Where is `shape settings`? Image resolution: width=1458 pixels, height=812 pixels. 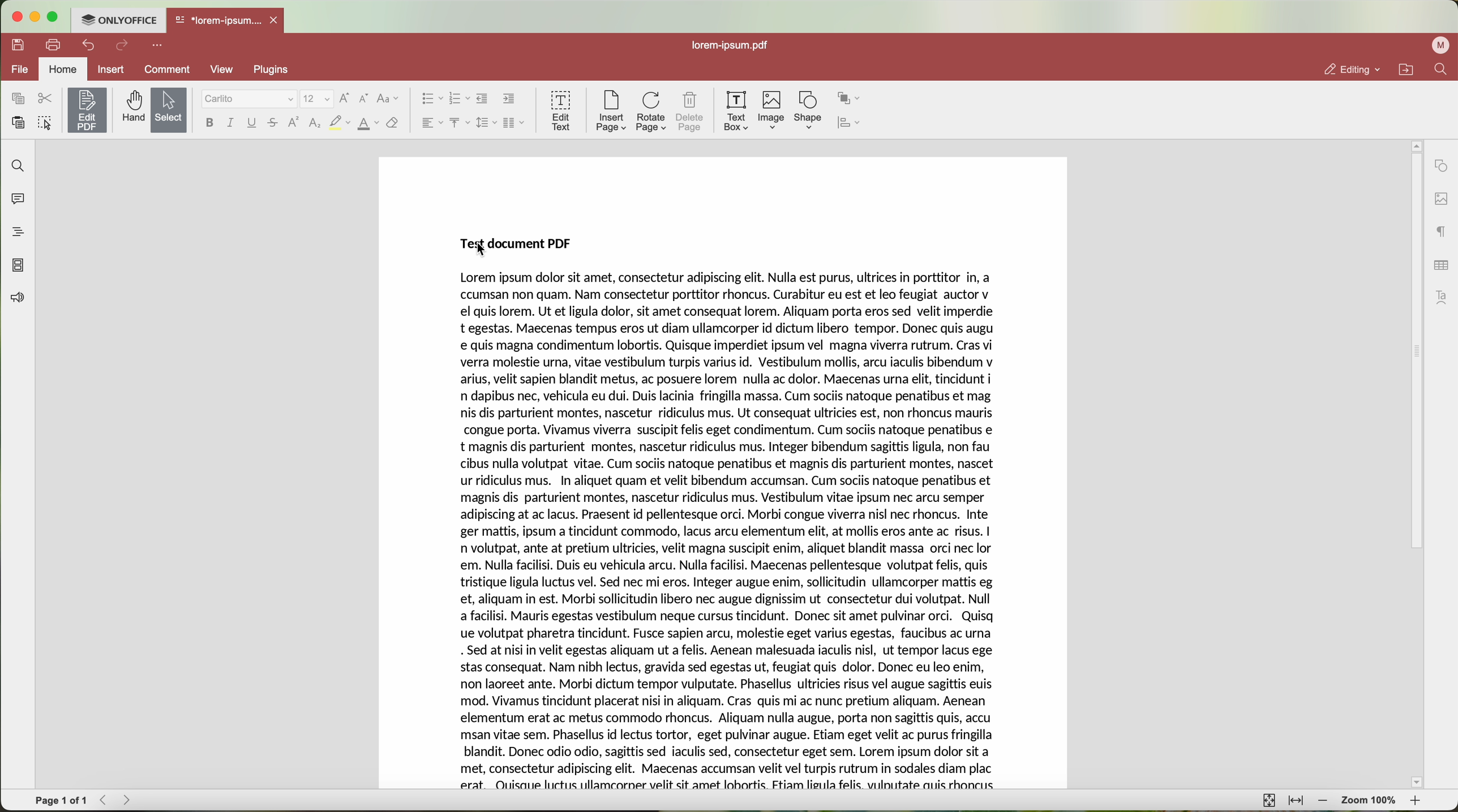
shape settings is located at coordinates (1440, 163).